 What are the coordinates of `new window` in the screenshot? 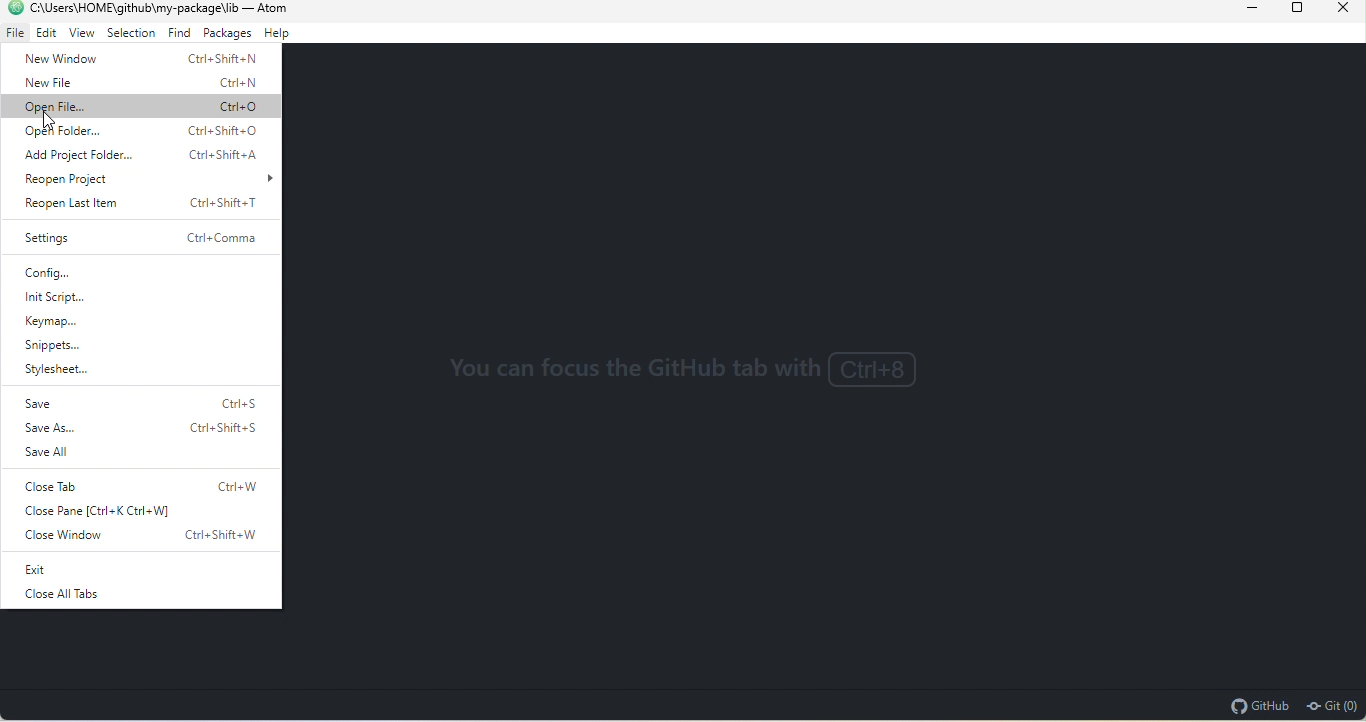 It's located at (140, 61).